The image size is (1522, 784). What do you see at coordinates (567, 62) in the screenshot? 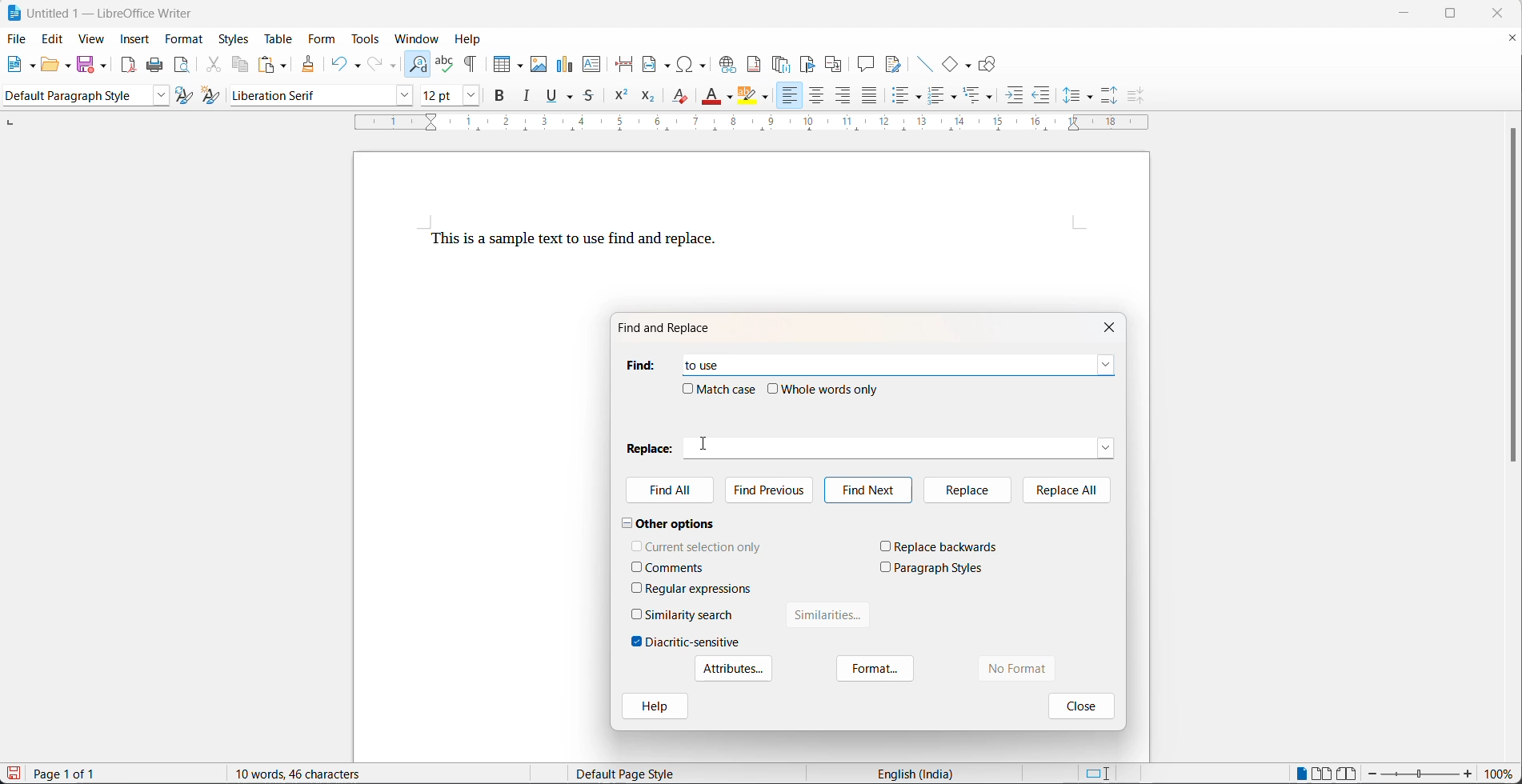
I see `insert chart` at bounding box center [567, 62].